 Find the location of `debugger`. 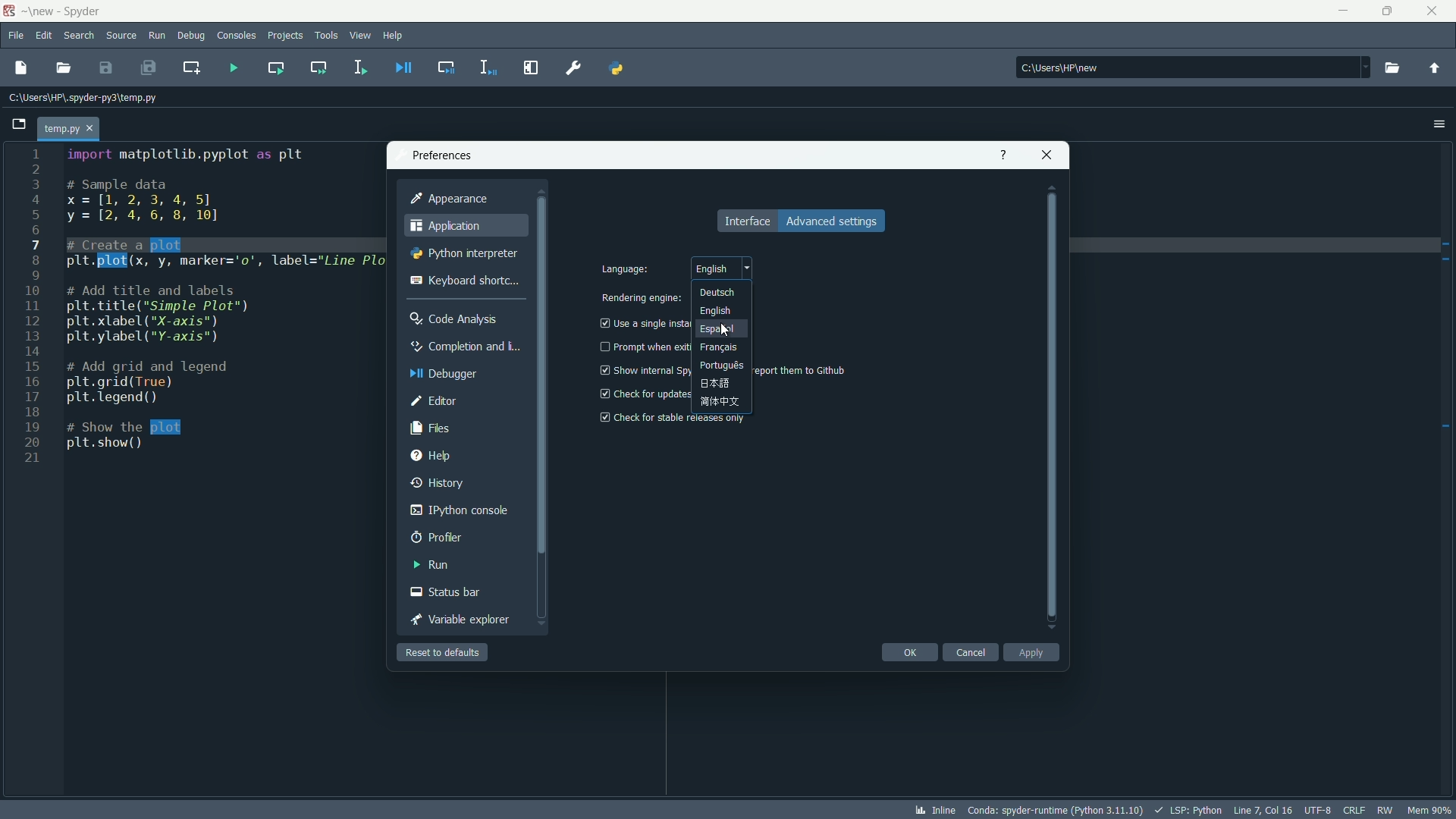

debugger is located at coordinates (448, 374).